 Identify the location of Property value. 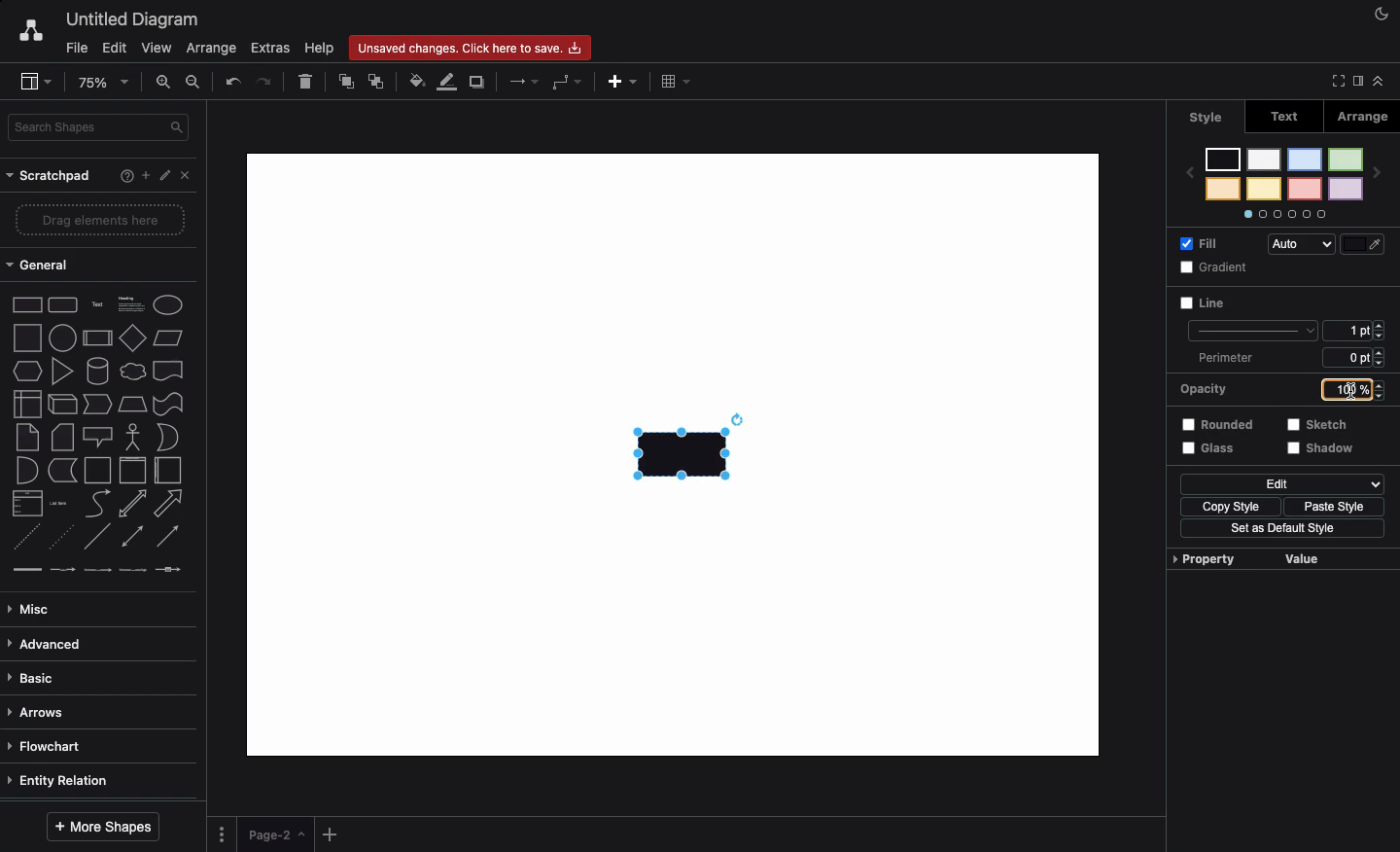
(1248, 559).